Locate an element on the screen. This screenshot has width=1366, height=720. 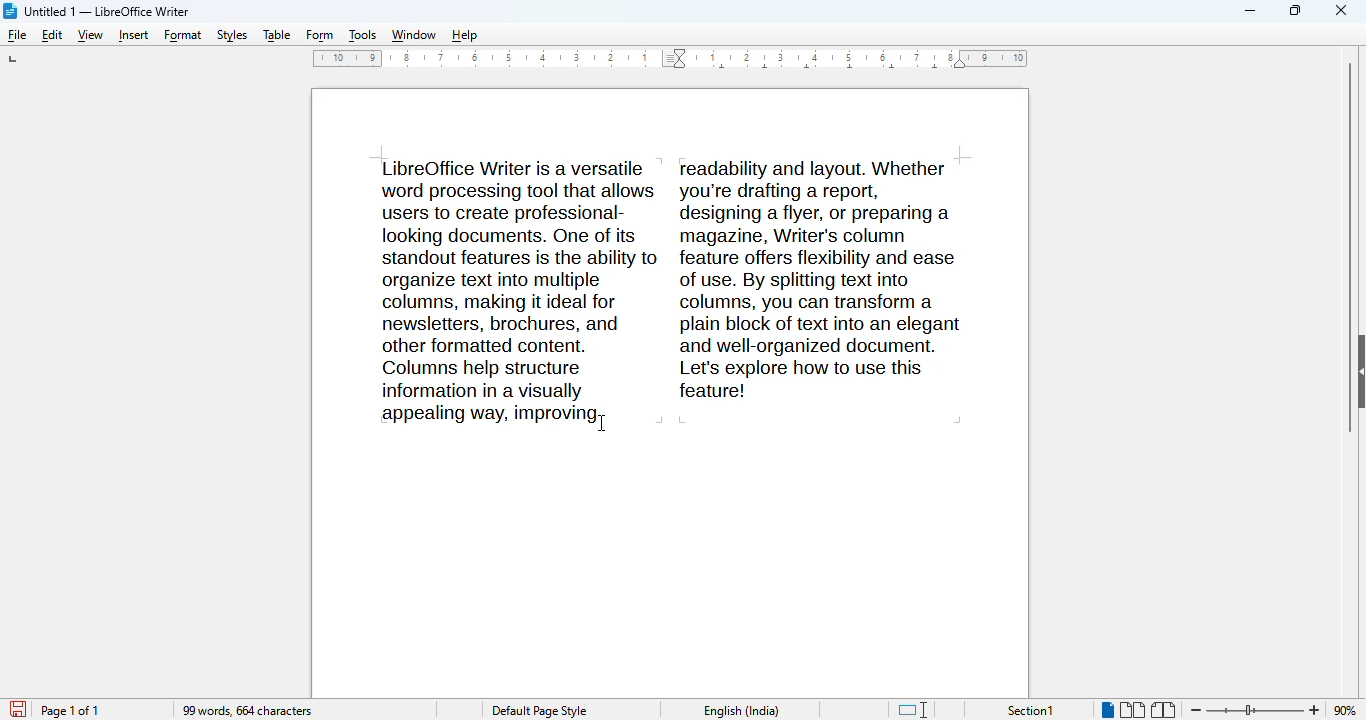
help is located at coordinates (464, 37).